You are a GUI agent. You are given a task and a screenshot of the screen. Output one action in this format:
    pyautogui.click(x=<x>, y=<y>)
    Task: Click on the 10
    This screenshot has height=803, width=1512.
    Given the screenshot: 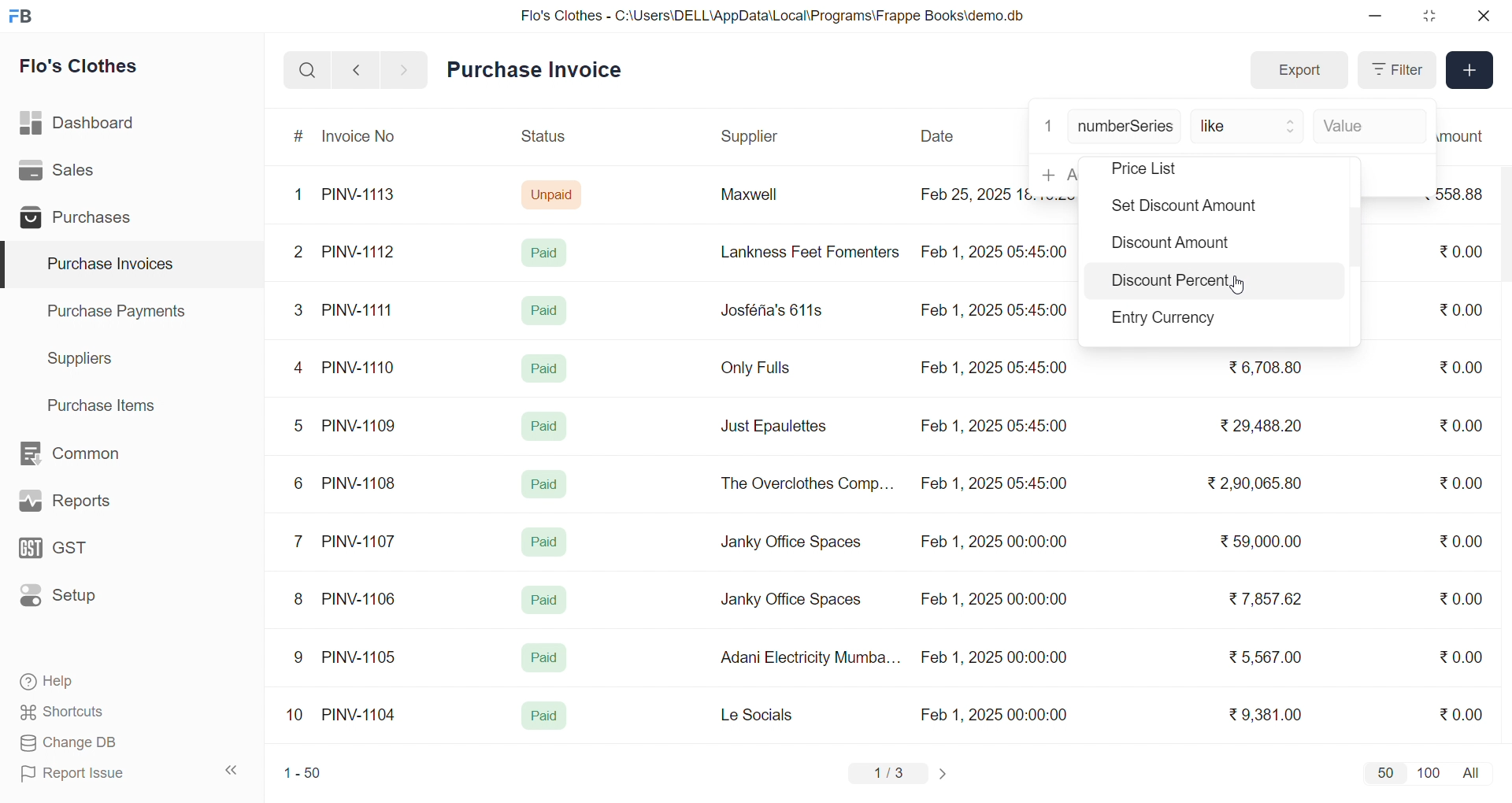 What is the action you would take?
    pyautogui.click(x=298, y=716)
    